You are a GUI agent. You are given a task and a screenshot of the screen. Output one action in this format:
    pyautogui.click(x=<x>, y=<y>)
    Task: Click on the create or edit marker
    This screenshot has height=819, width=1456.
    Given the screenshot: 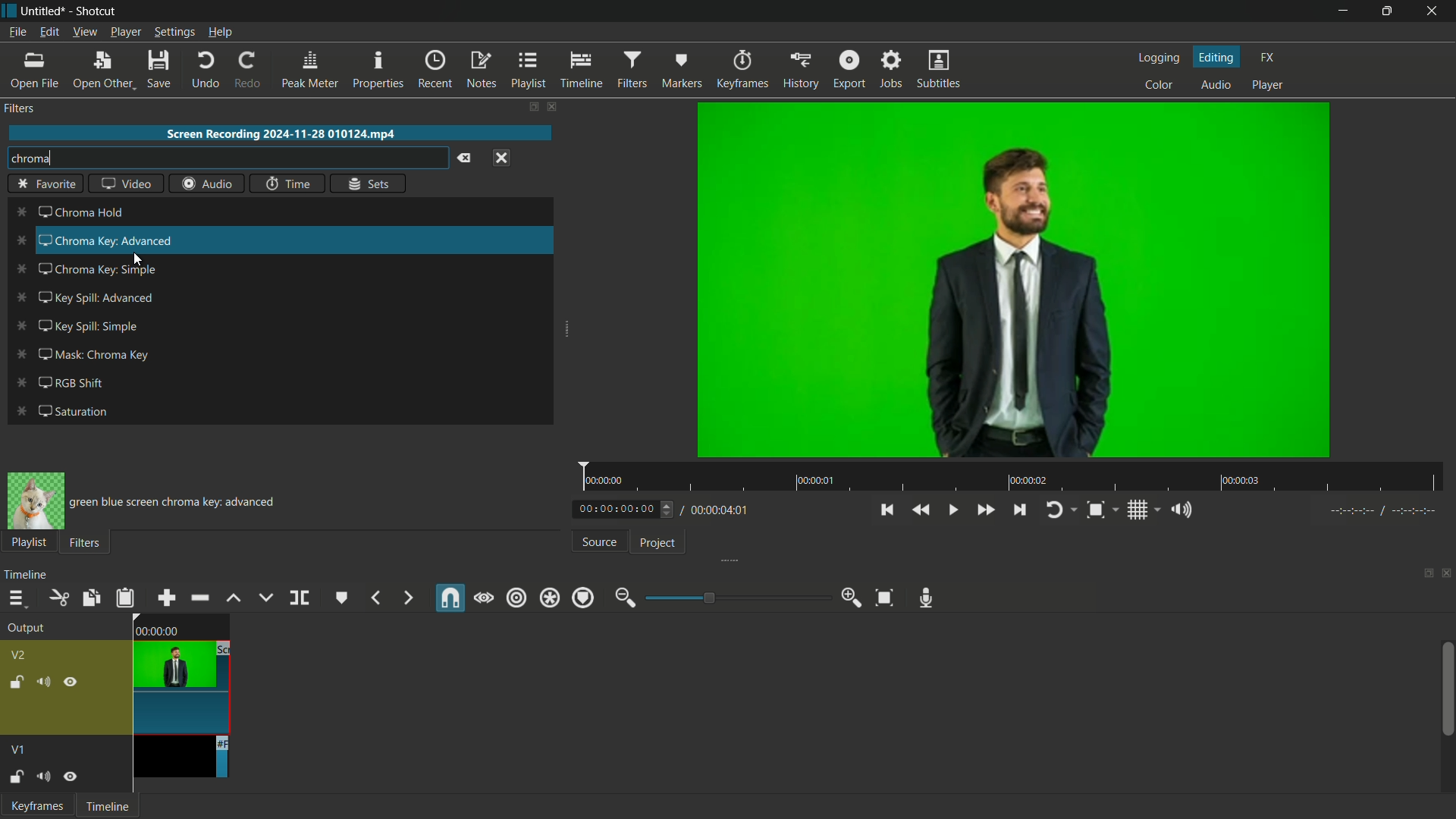 What is the action you would take?
    pyautogui.click(x=340, y=599)
    